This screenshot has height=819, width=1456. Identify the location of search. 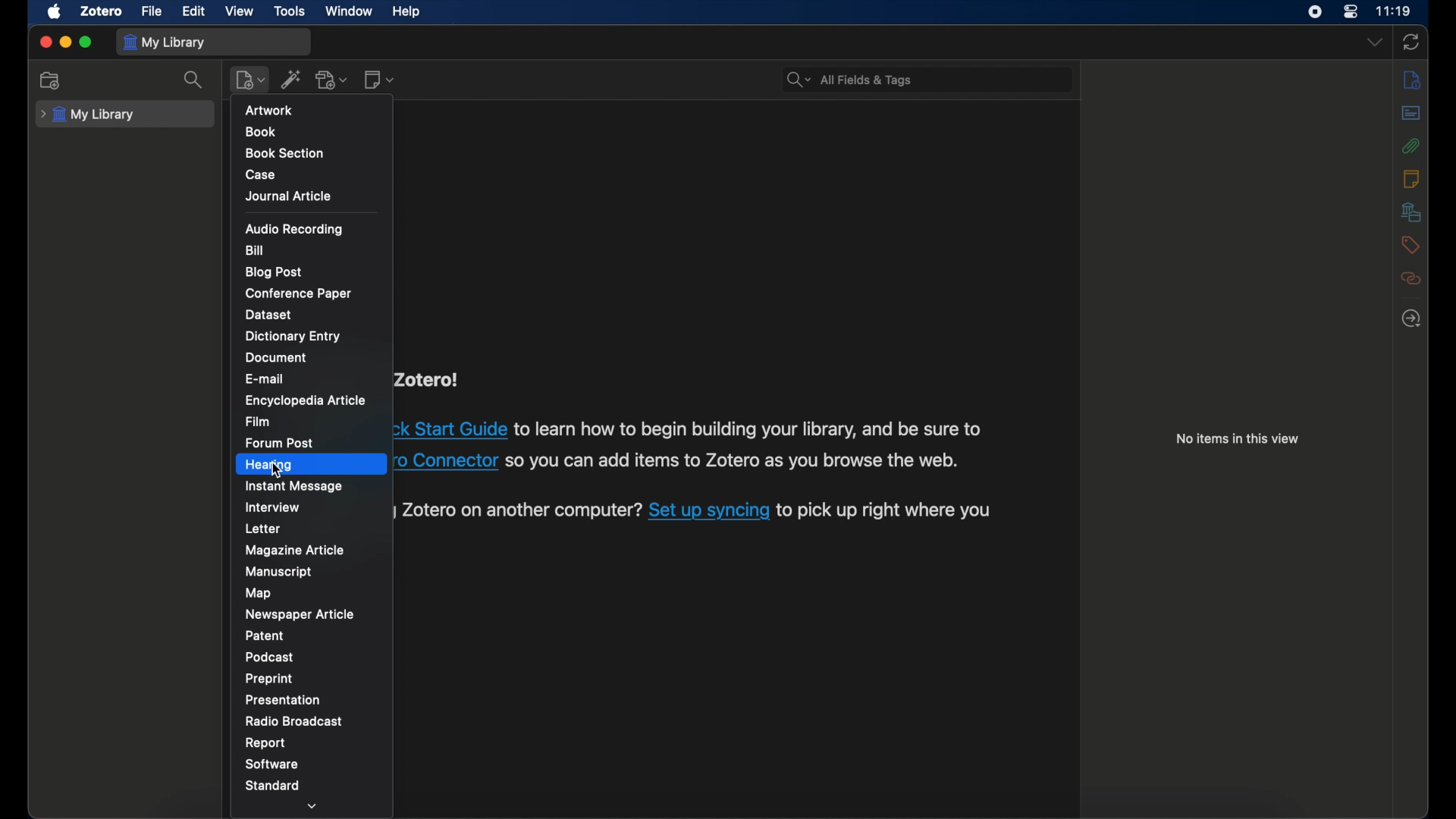
(848, 80).